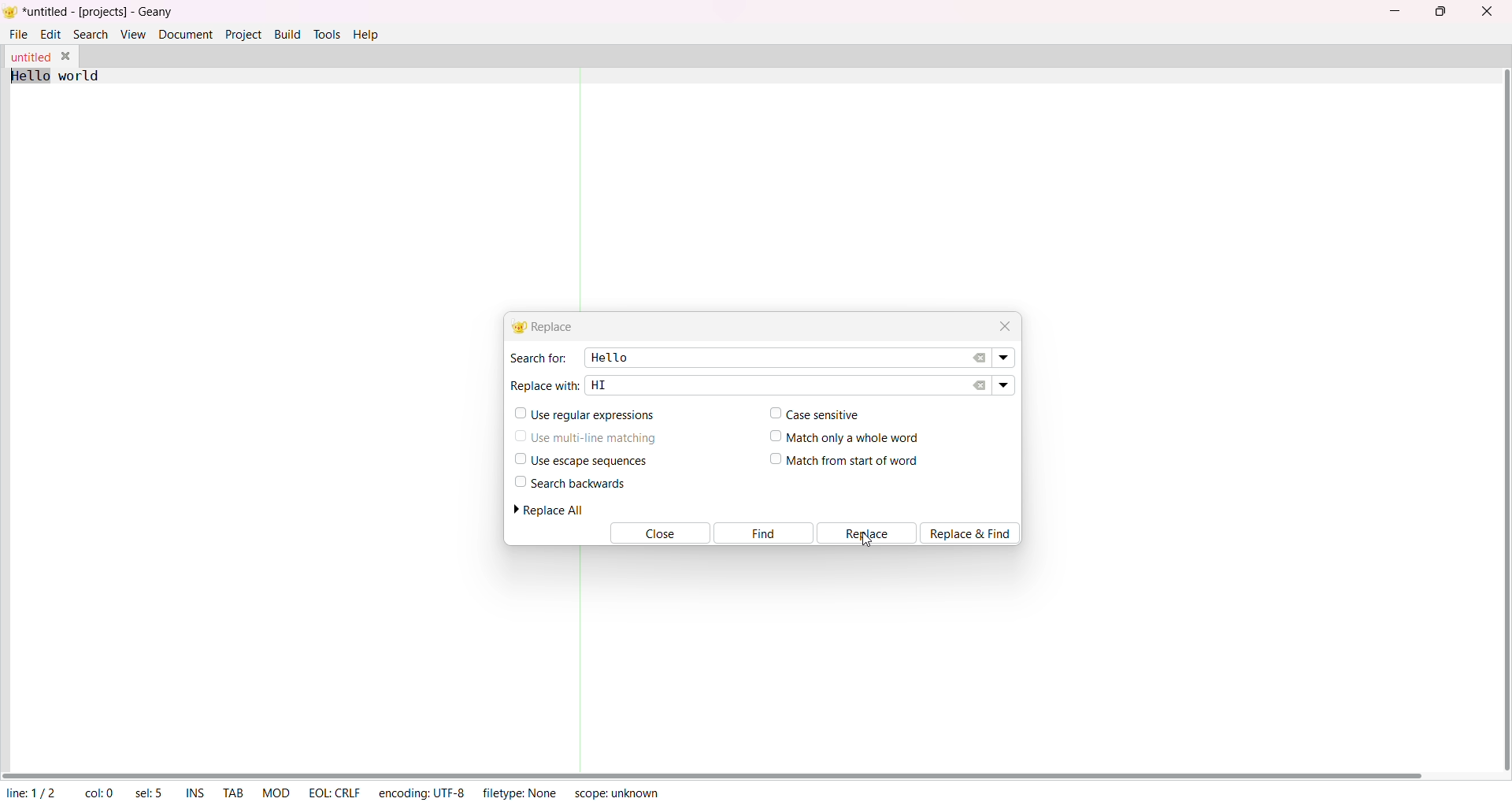 This screenshot has width=1512, height=802. I want to click on use escape sequences, so click(578, 460).